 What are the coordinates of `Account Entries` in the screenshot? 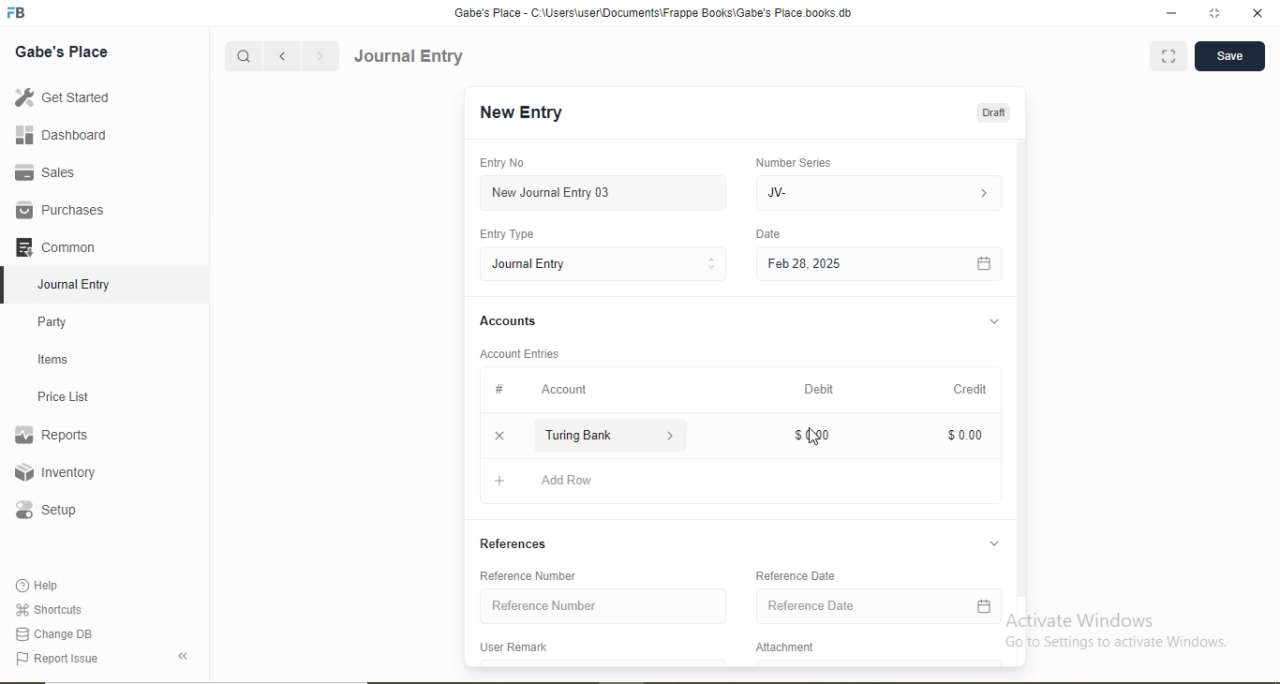 It's located at (518, 354).